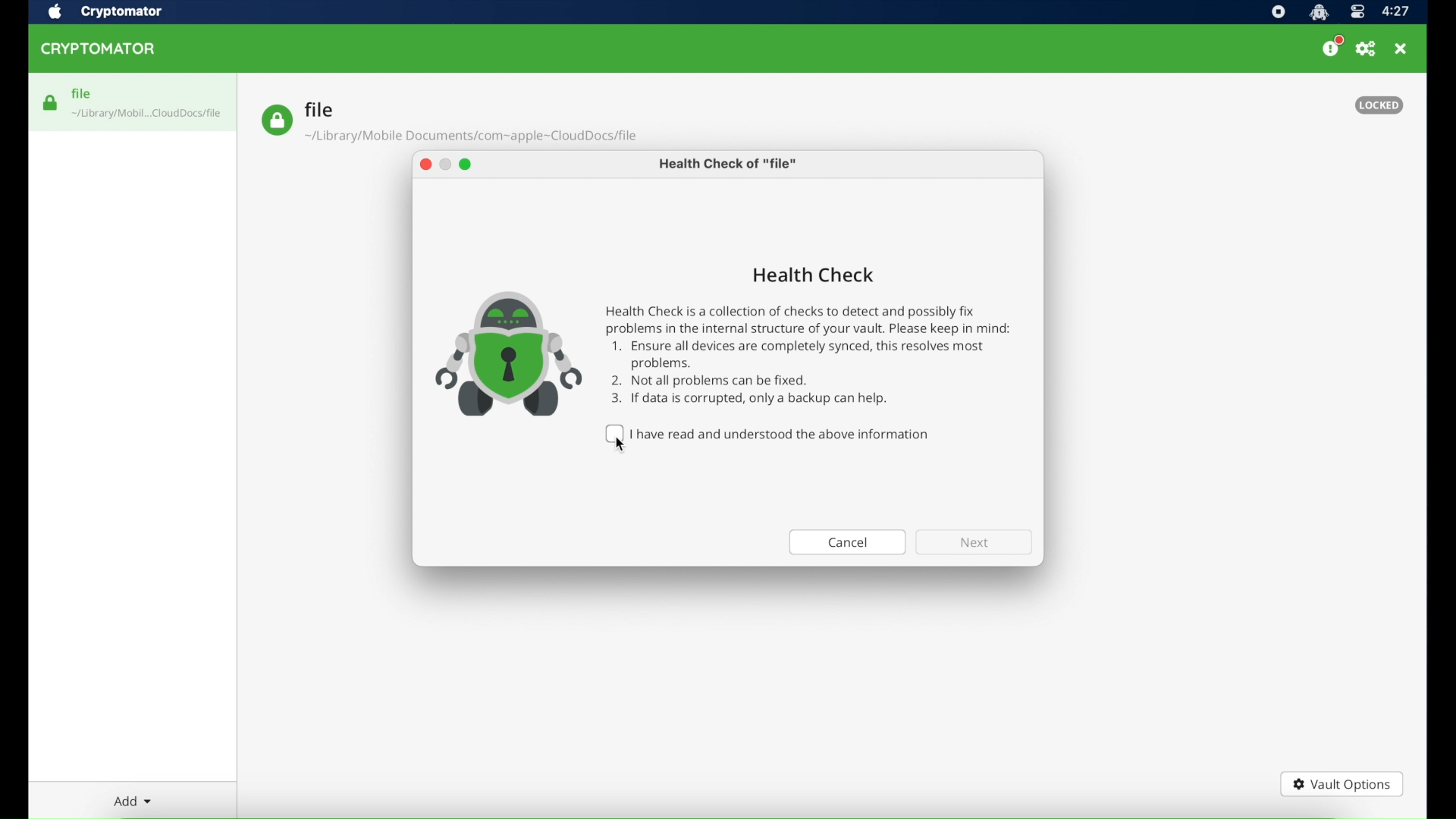 This screenshot has height=819, width=1456. What do you see at coordinates (1402, 49) in the screenshot?
I see `close` at bounding box center [1402, 49].